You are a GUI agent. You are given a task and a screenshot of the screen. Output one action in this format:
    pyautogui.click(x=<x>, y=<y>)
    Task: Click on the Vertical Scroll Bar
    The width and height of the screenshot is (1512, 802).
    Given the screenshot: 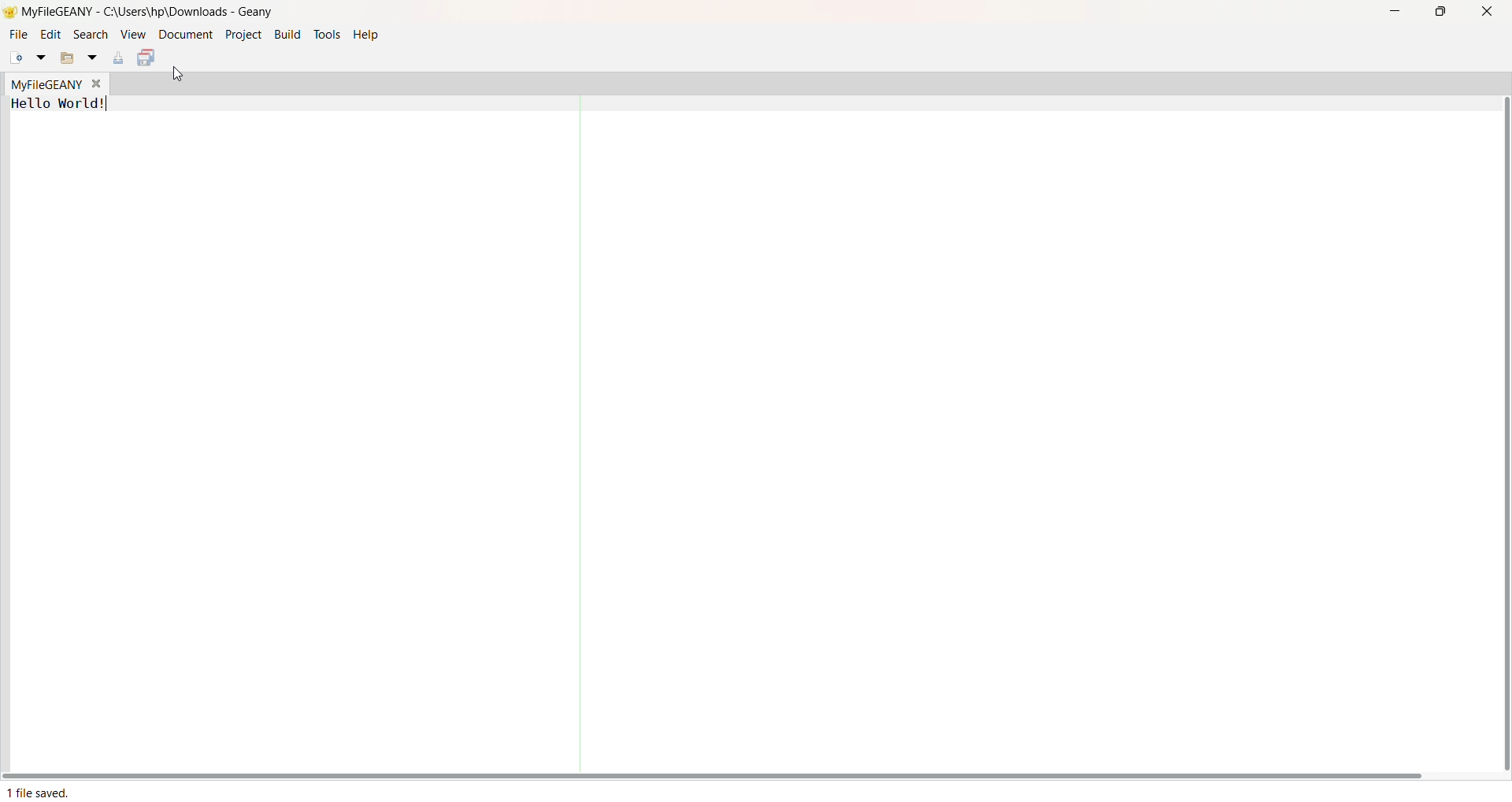 What is the action you would take?
    pyautogui.click(x=1503, y=431)
    